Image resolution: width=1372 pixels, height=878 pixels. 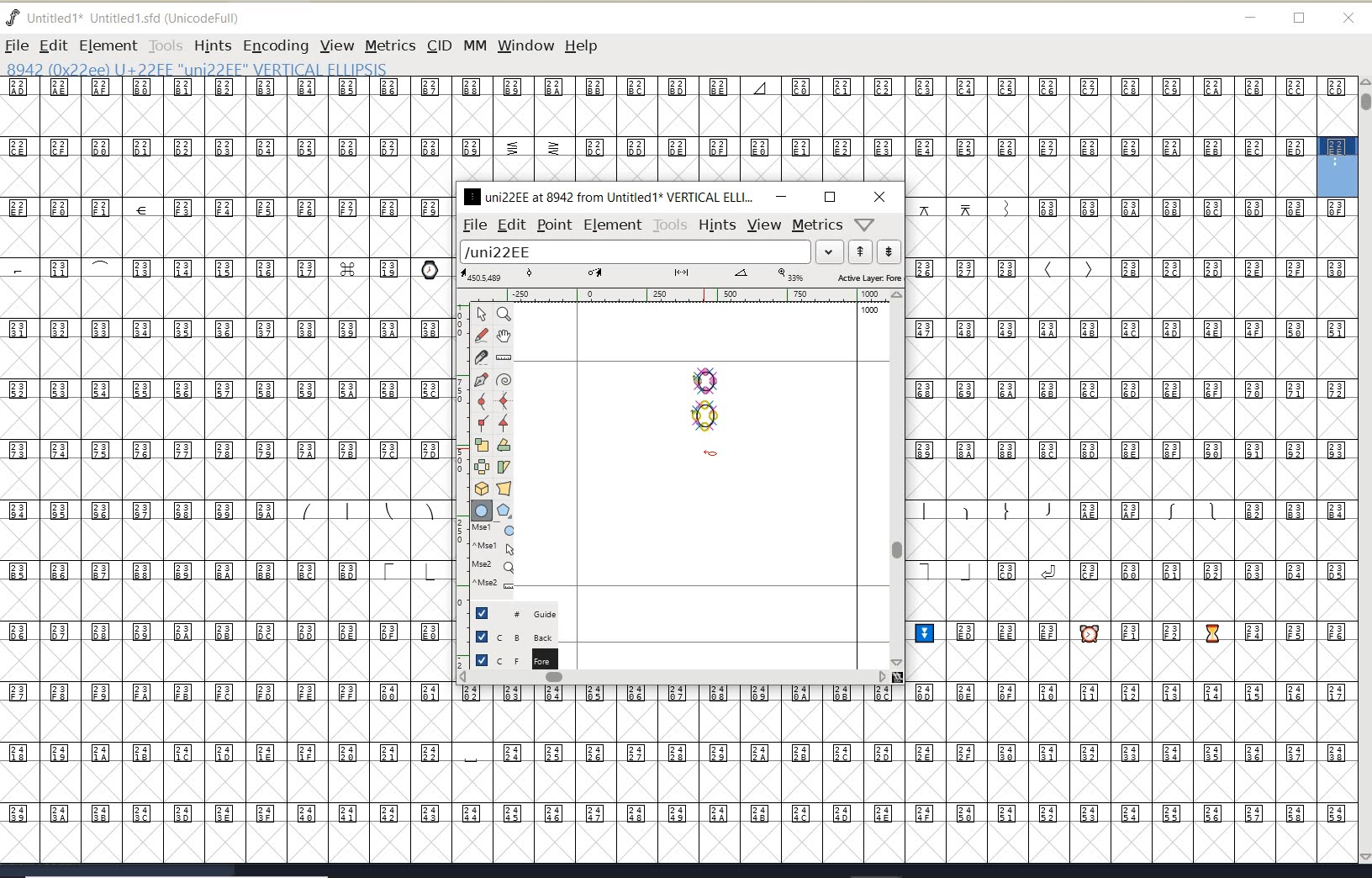 What do you see at coordinates (682, 278) in the screenshot?
I see `active layer` at bounding box center [682, 278].